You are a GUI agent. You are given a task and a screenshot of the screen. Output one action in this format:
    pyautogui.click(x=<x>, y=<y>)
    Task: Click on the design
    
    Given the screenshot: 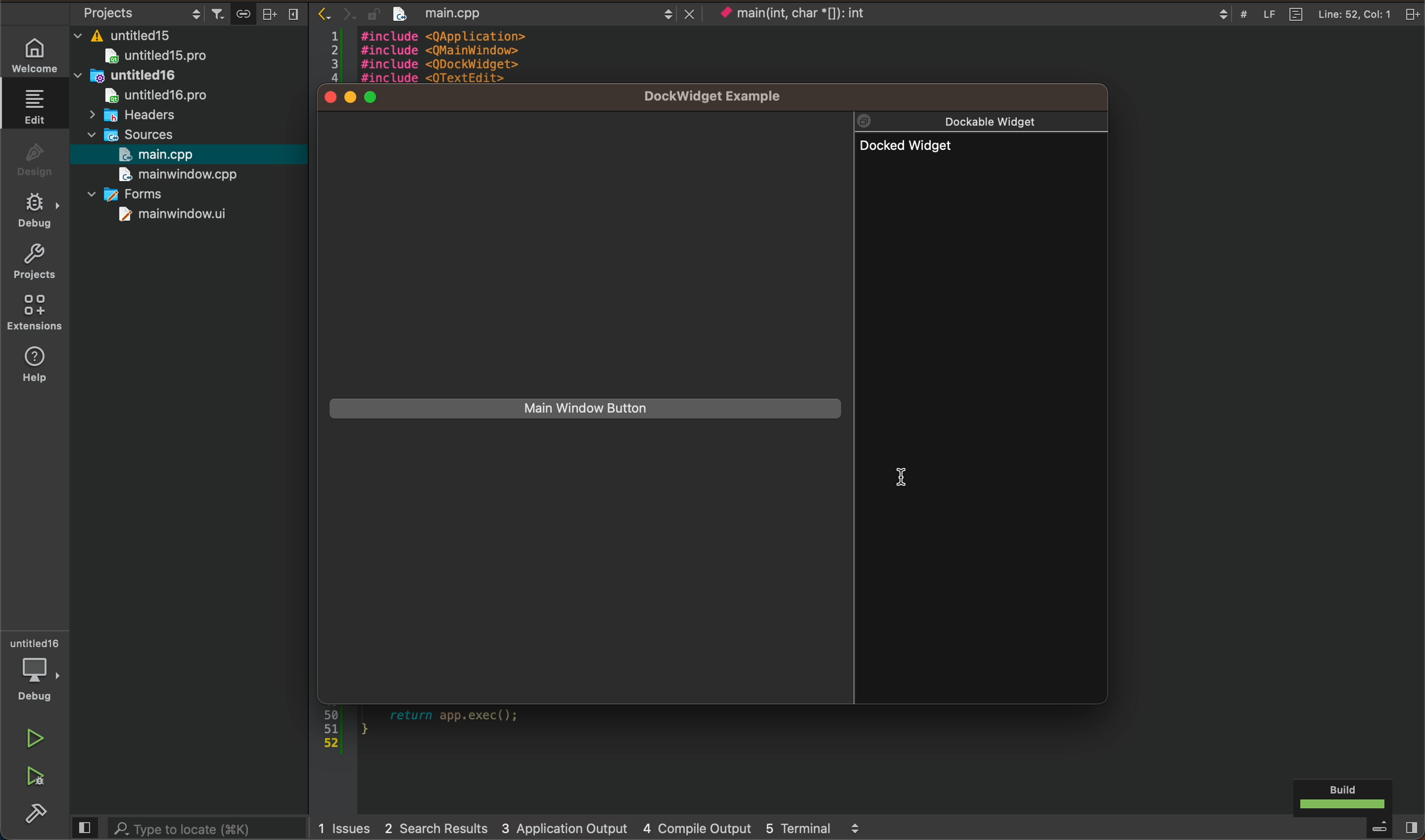 What is the action you would take?
    pyautogui.click(x=33, y=156)
    